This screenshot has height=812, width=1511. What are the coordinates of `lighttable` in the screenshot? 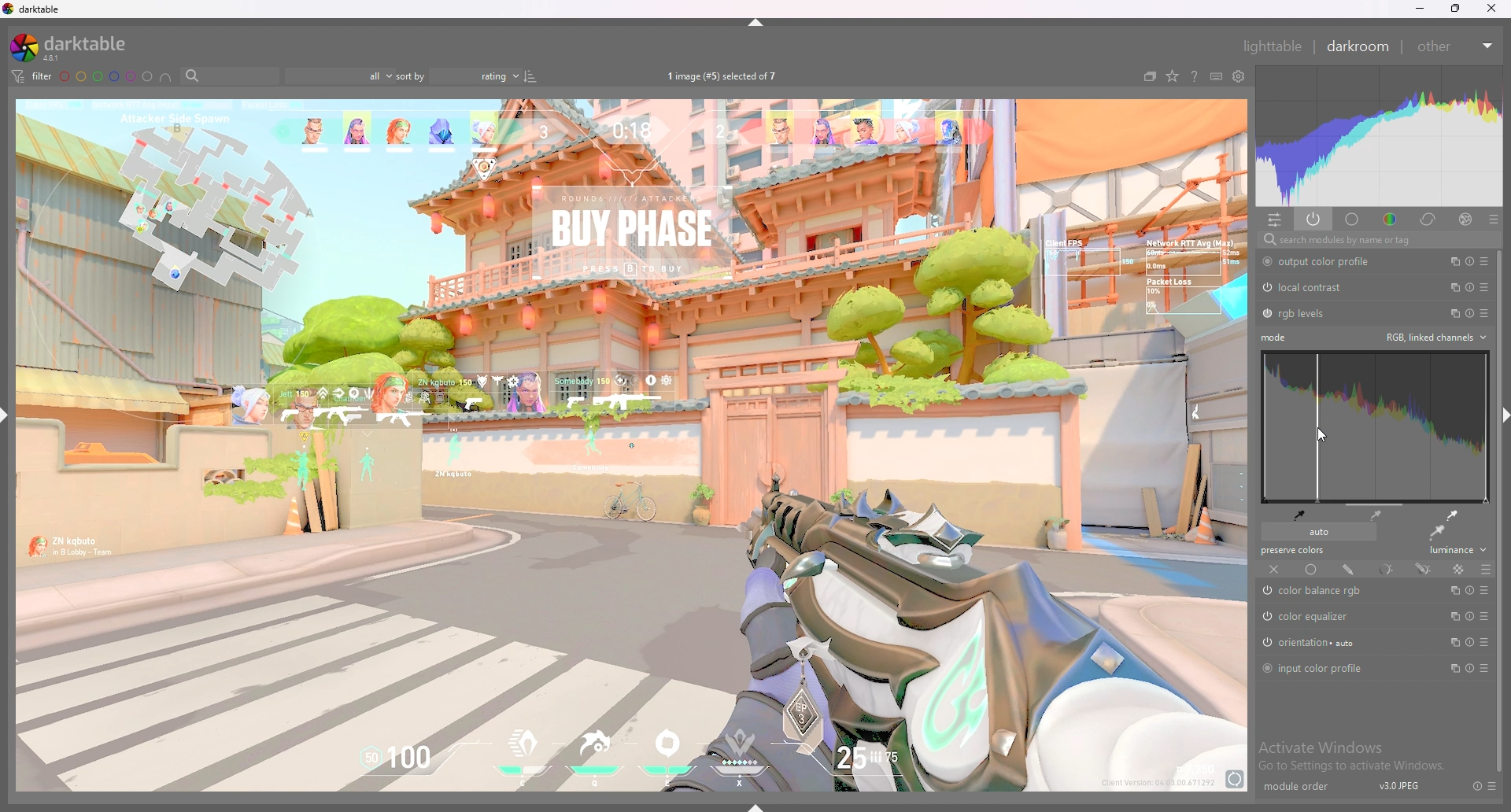 It's located at (1273, 46).